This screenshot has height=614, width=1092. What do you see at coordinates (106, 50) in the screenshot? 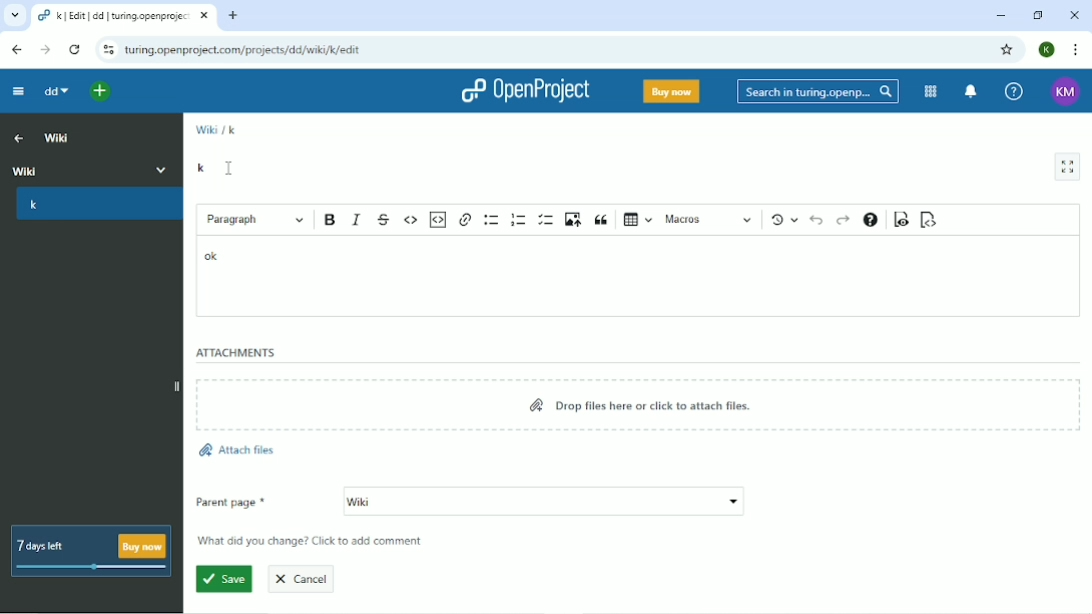
I see `View site information` at bounding box center [106, 50].